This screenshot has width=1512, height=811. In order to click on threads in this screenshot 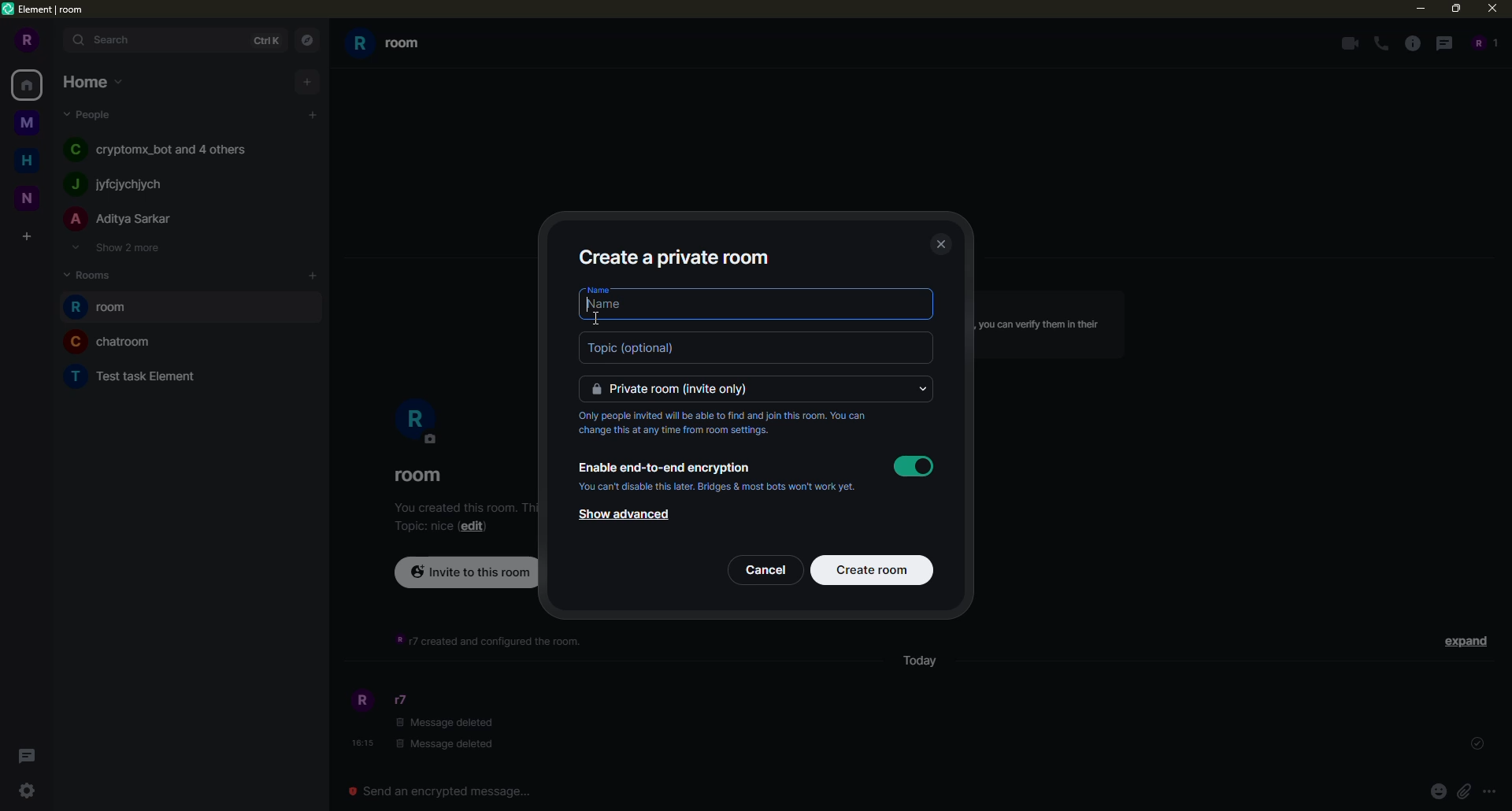, I will do `click(27, 755)`.